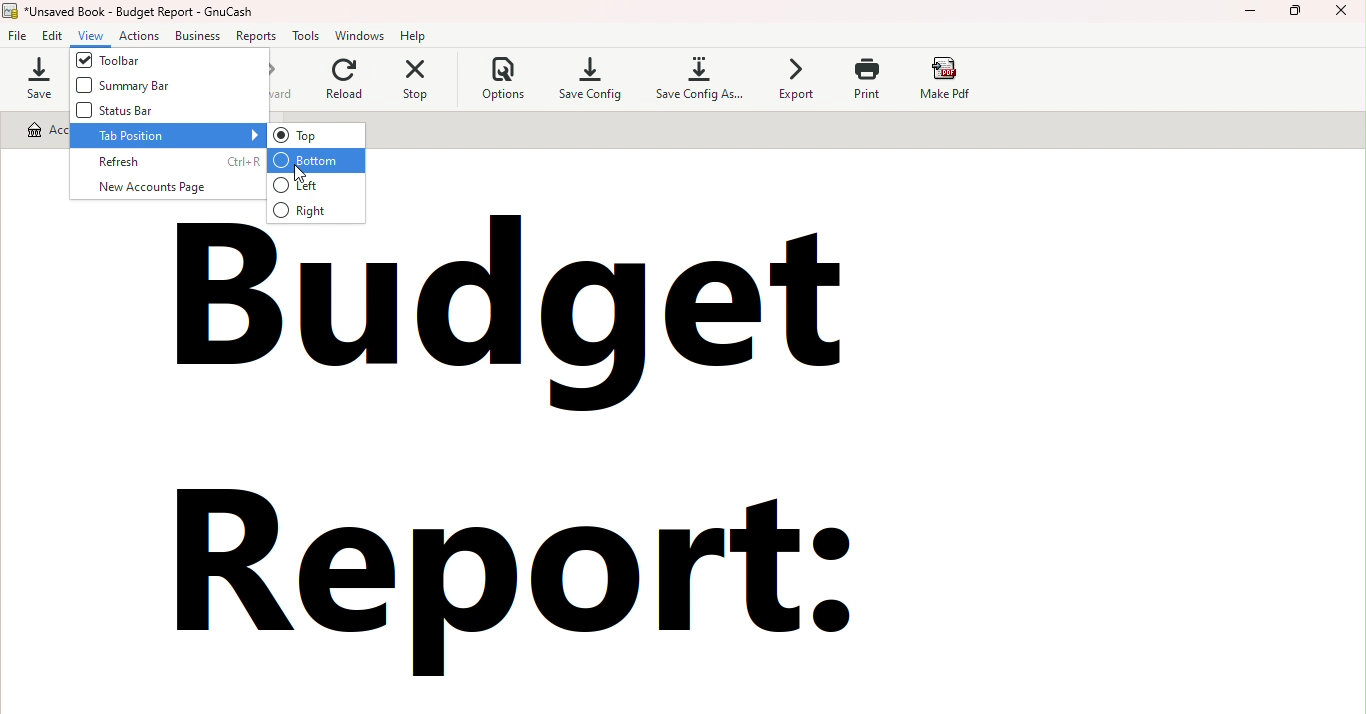  What do you see at coordinates (1341, 15) in the screenshot?
I see `Close` at bounding box center [1341, 15].